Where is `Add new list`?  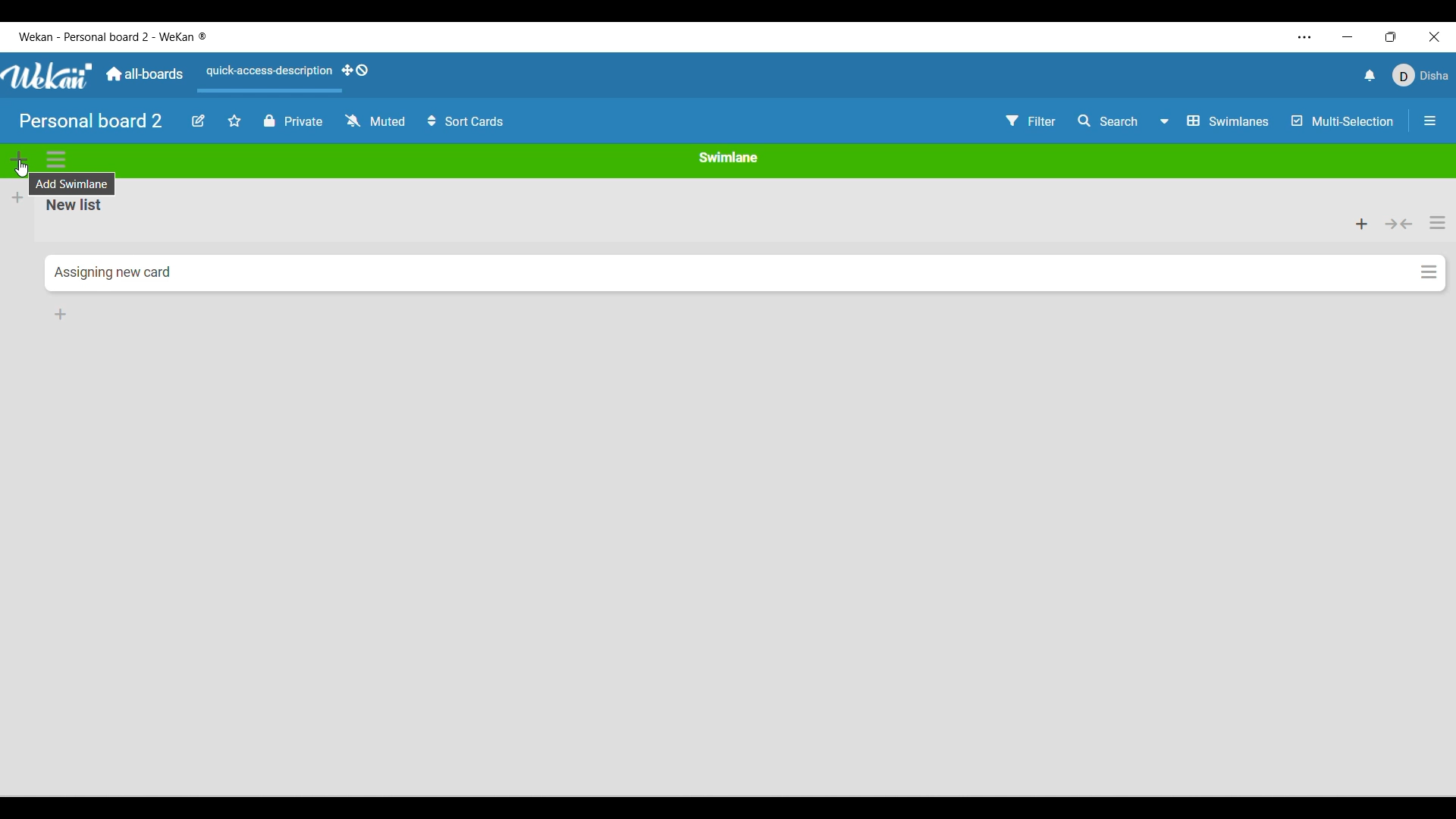 Add new list is located at coordinates (17, 197).